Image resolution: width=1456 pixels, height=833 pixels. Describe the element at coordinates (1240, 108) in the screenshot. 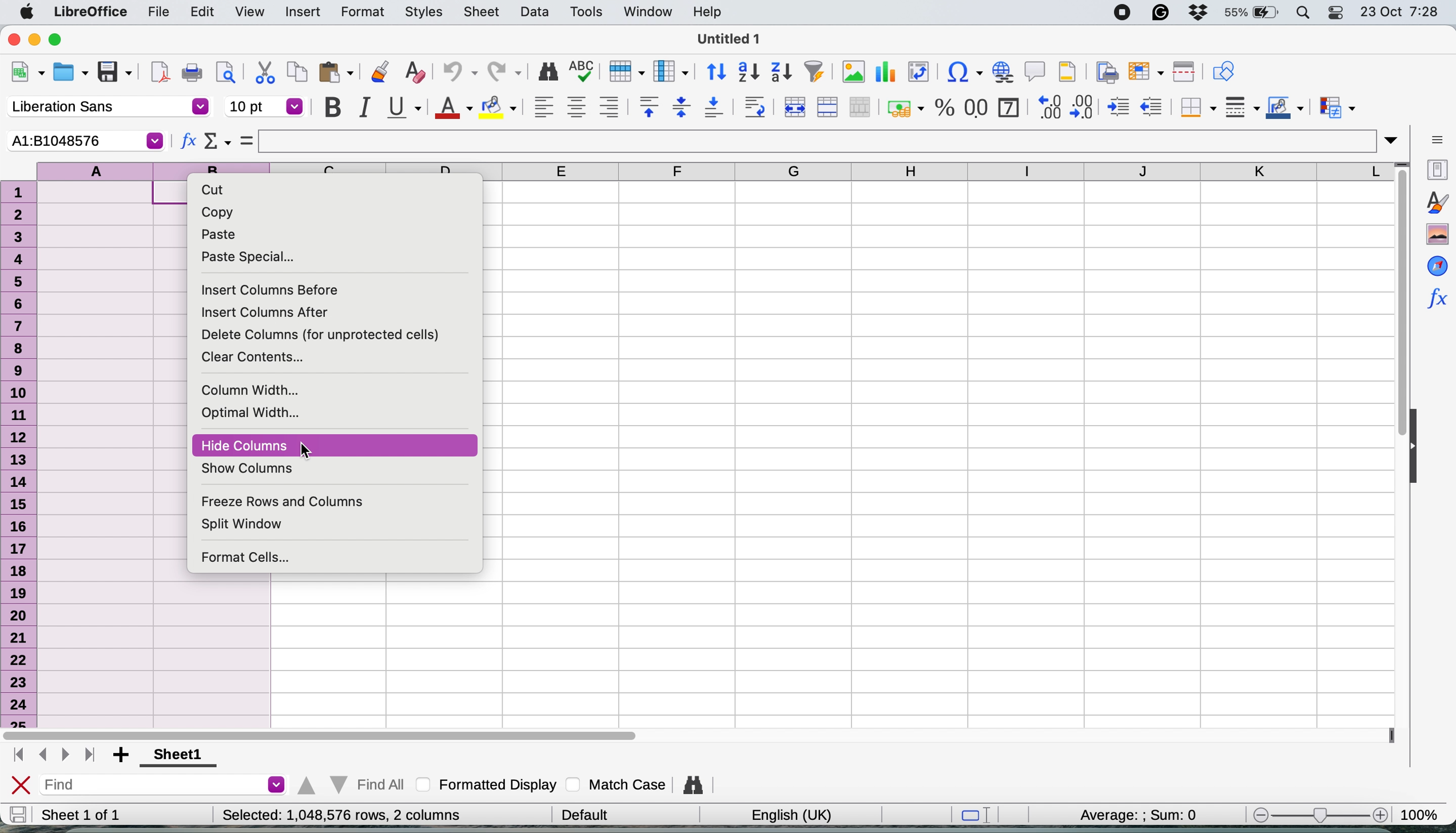

I see `border styles` at that location.